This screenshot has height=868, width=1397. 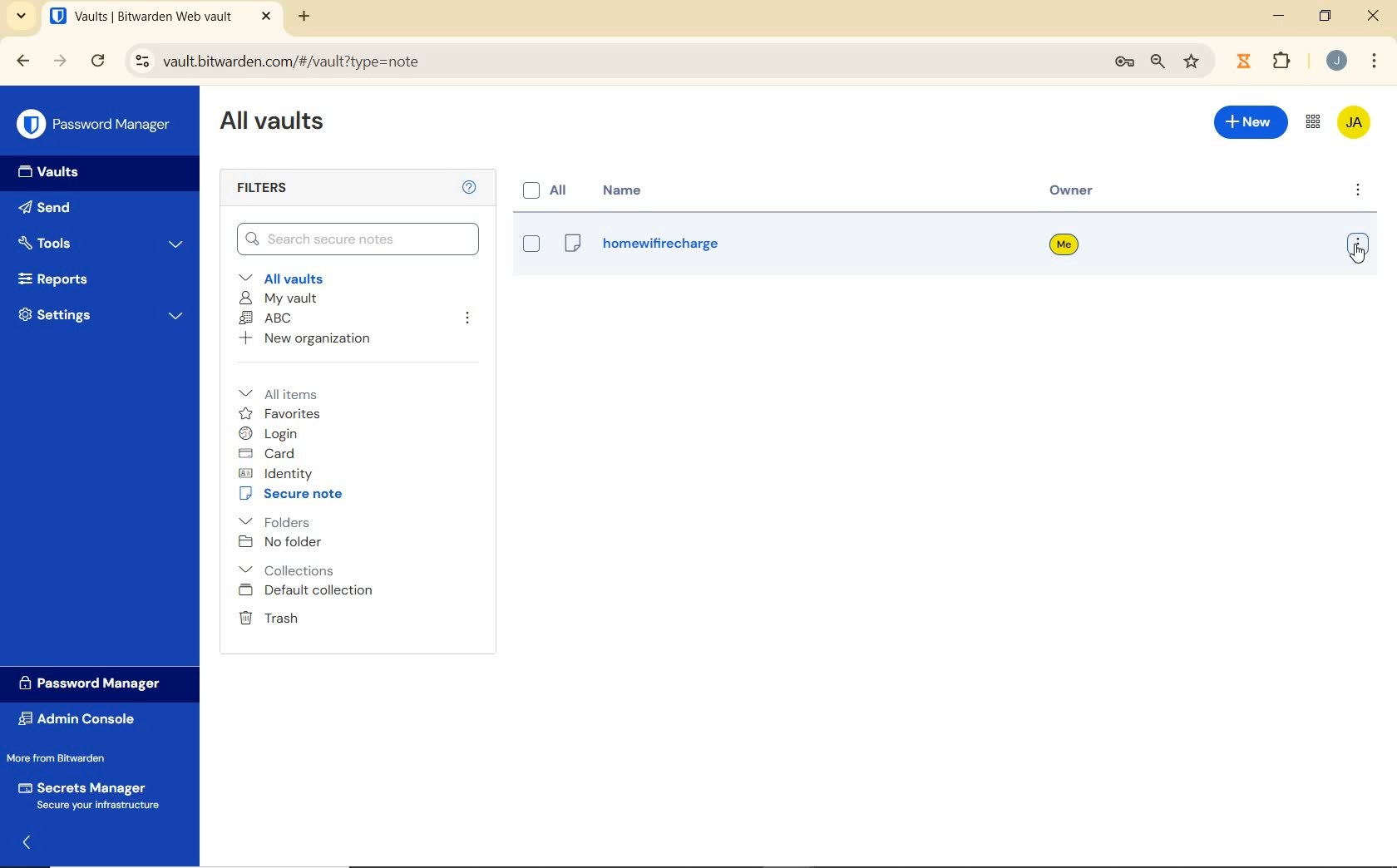 I want to click on leave, so click(x=468, y=321).